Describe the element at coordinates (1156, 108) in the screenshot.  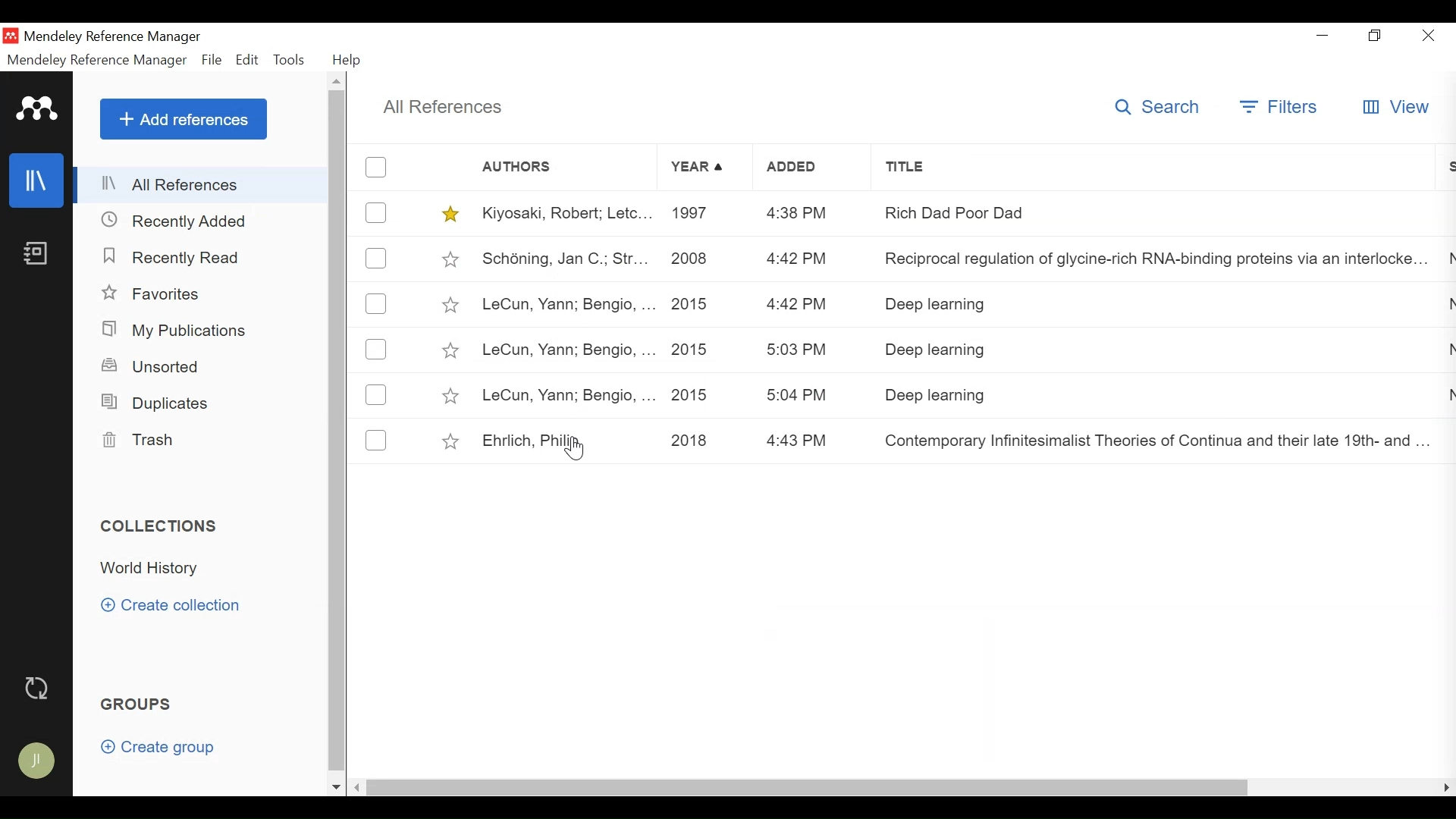
I see `Search` at that location.